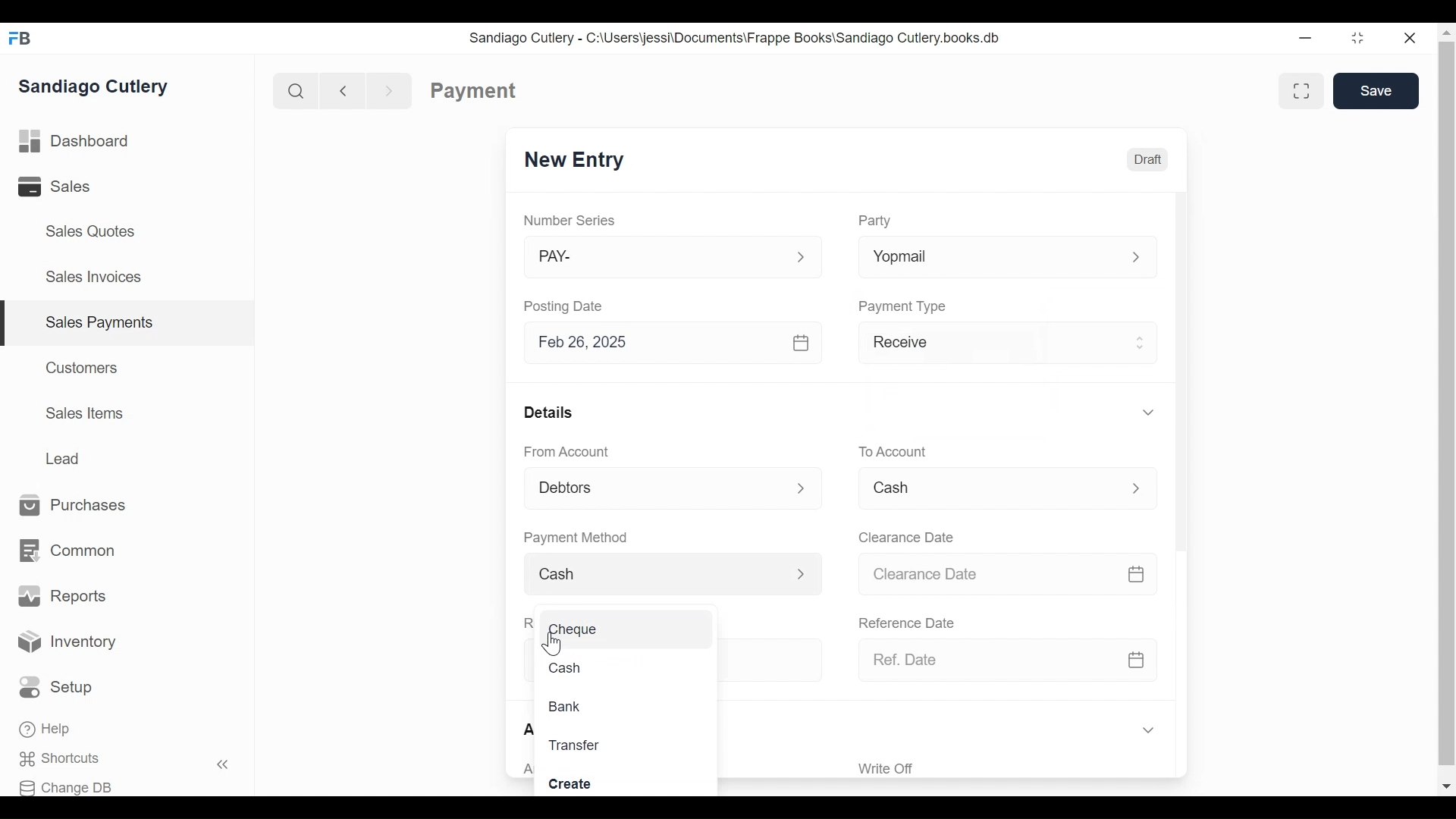 This screenshot has height=819, width=1456. I want to click on Calendar, so click(1140, 660).